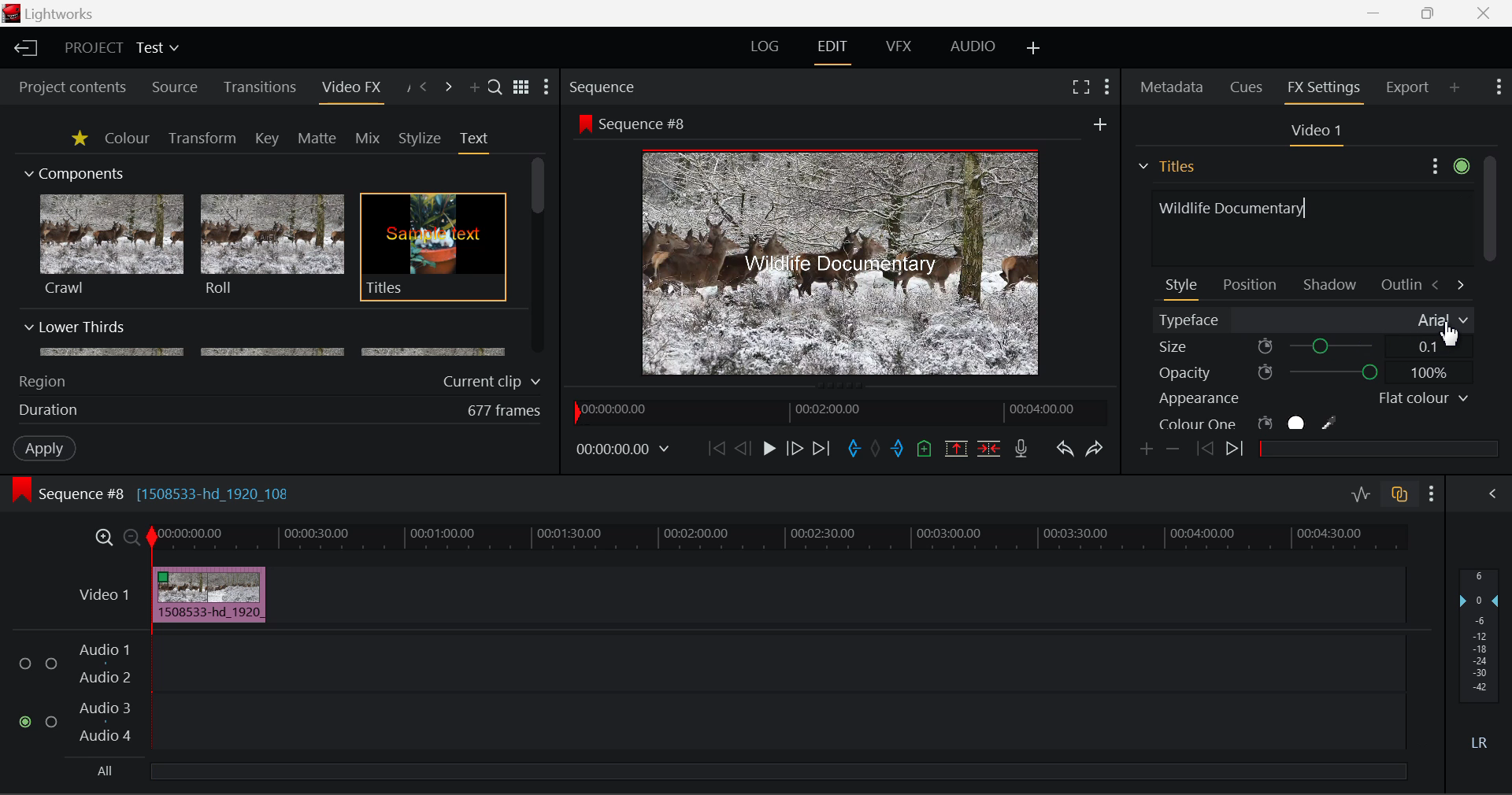 The height and width of the screenshot is (795, 1512). Describe the element at coordinates (1203, 449) in the screenshot. I see `Previous keyframes` at that location.